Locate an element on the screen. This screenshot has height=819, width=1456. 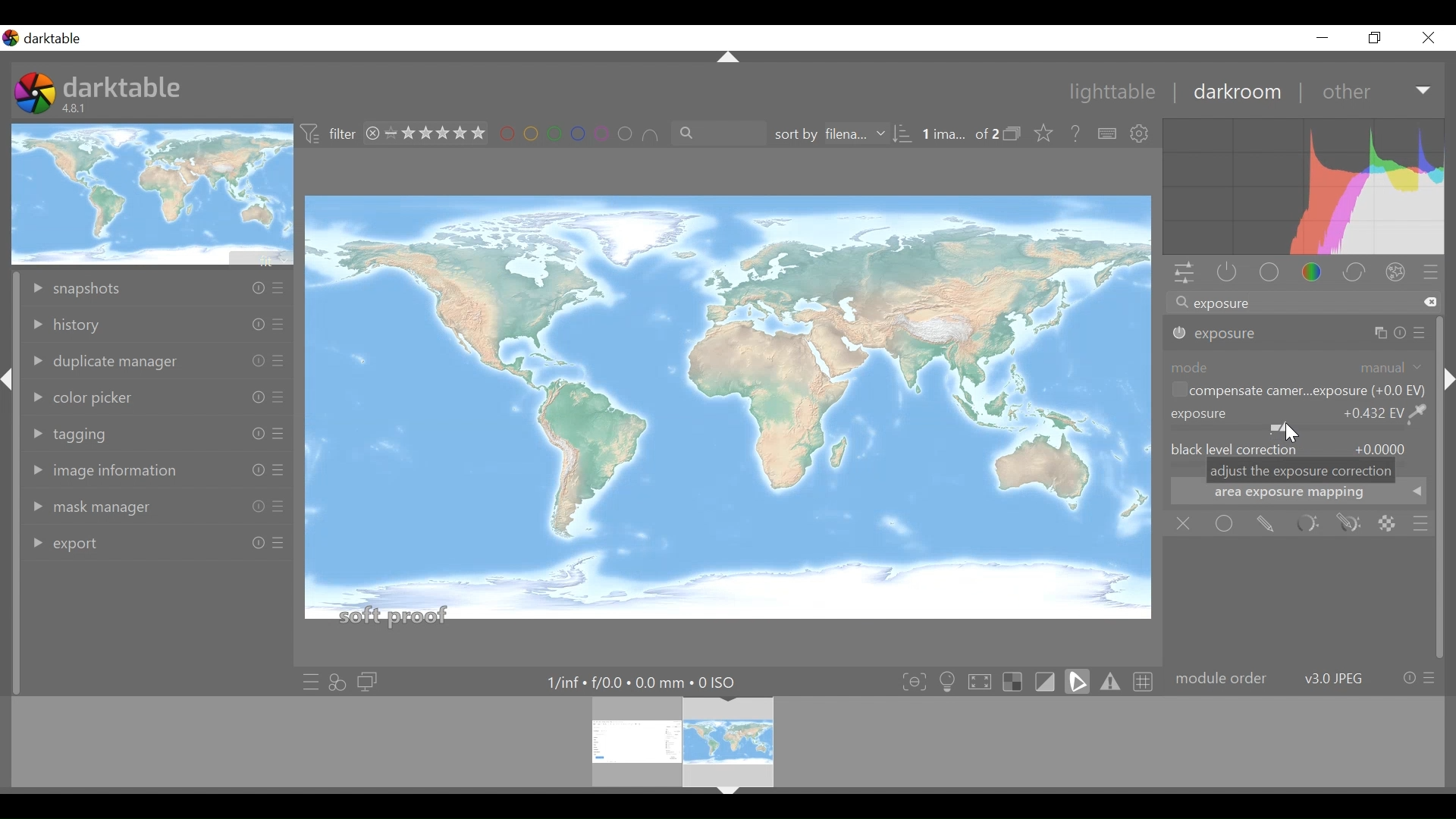
off is located at coordinates (1187, 524).